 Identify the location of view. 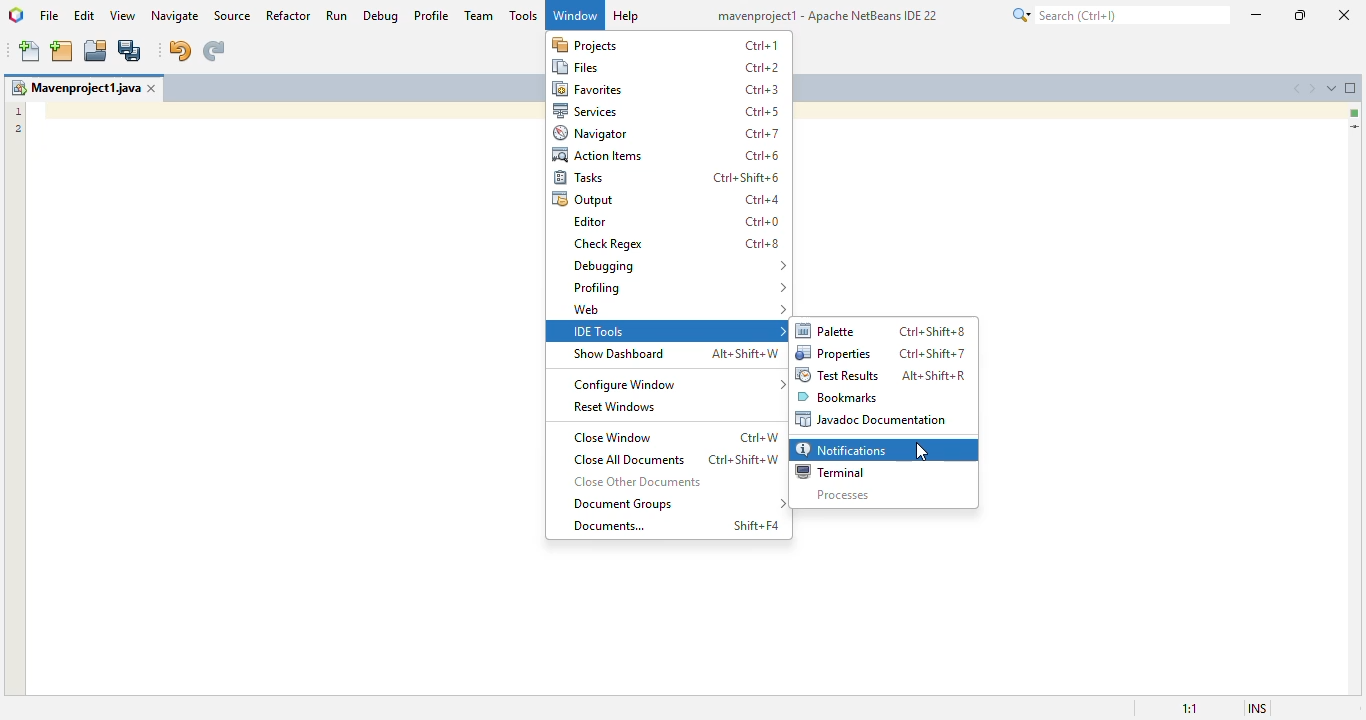
(124, 15).